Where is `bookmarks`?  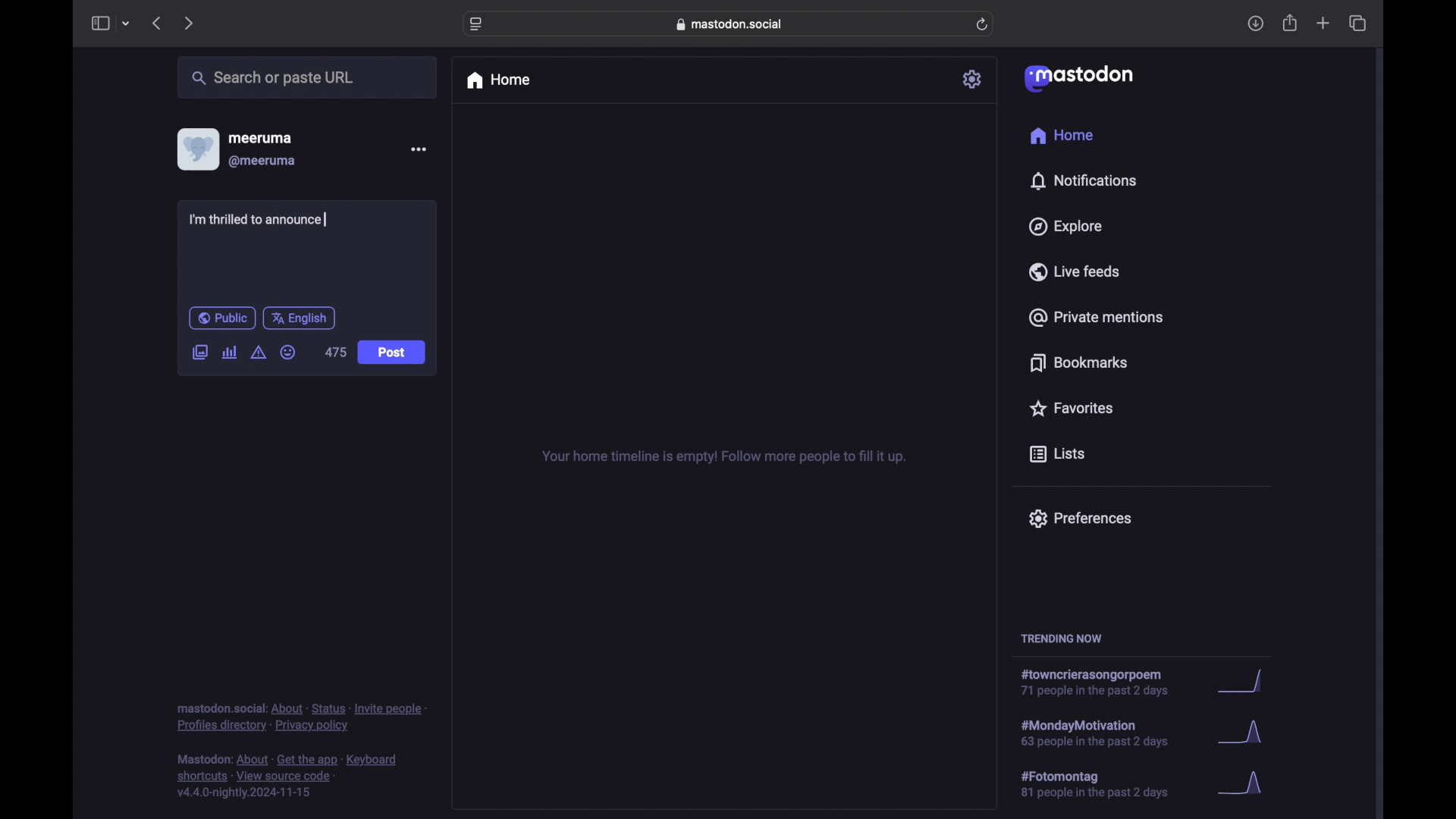
bookmarks is located at coordinates (1081, 362).